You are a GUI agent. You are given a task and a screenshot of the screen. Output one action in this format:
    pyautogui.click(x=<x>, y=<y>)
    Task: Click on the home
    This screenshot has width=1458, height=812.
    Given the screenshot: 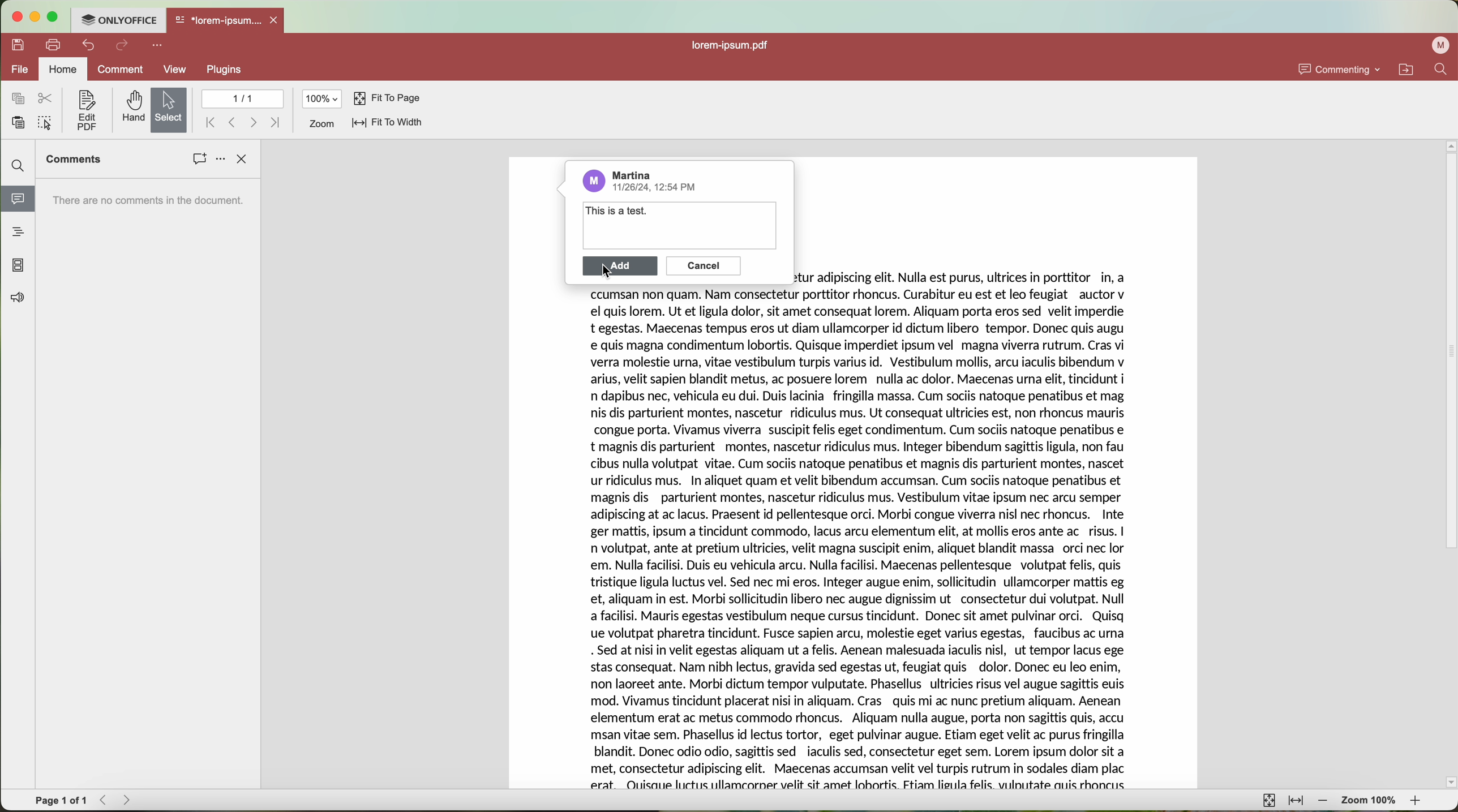 What is the action you would take?
    pyautogui.click(x=63, y=68)
    